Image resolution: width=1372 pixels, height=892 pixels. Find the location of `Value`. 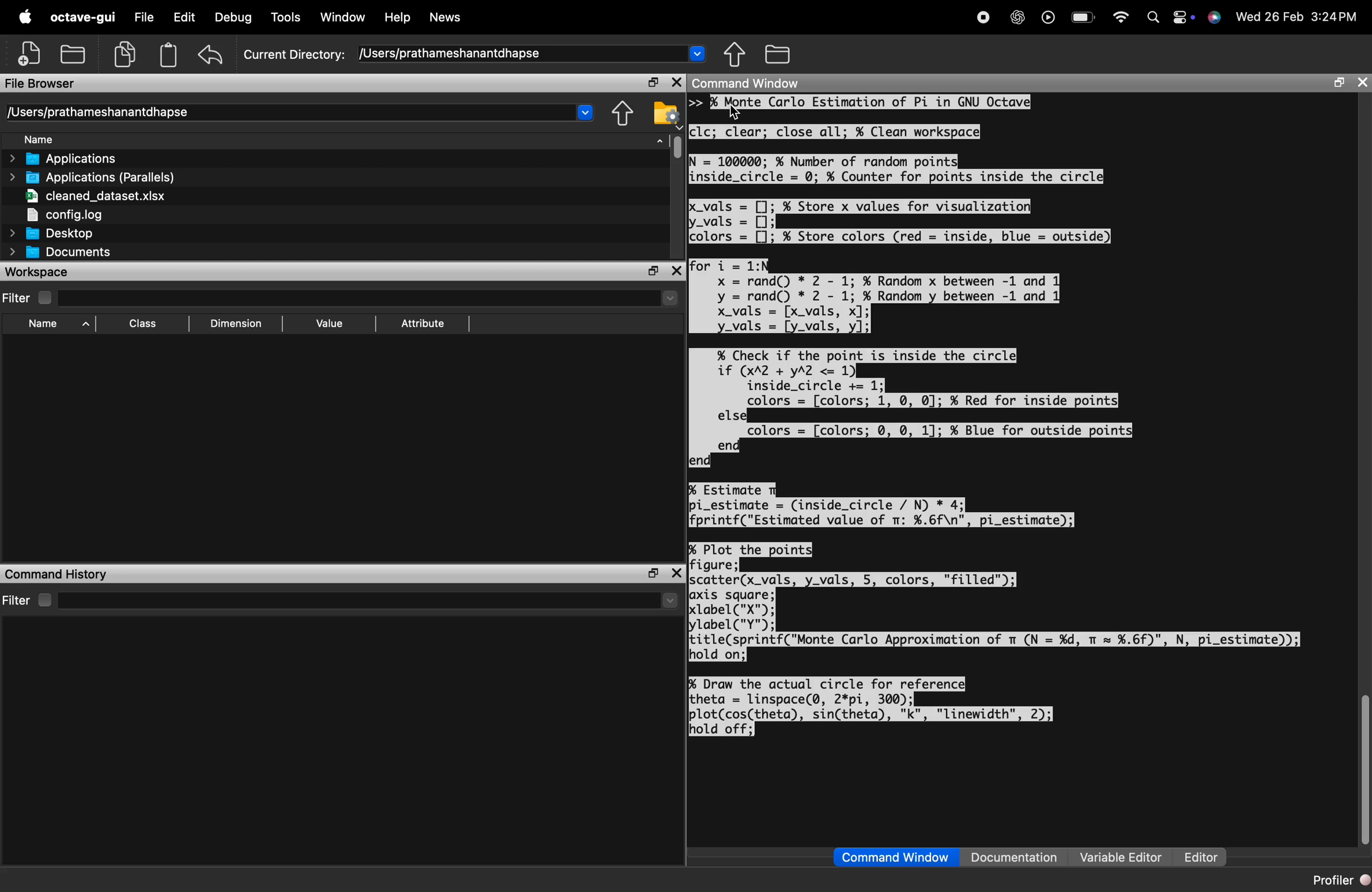

Value is located at coordinates (328, 322).